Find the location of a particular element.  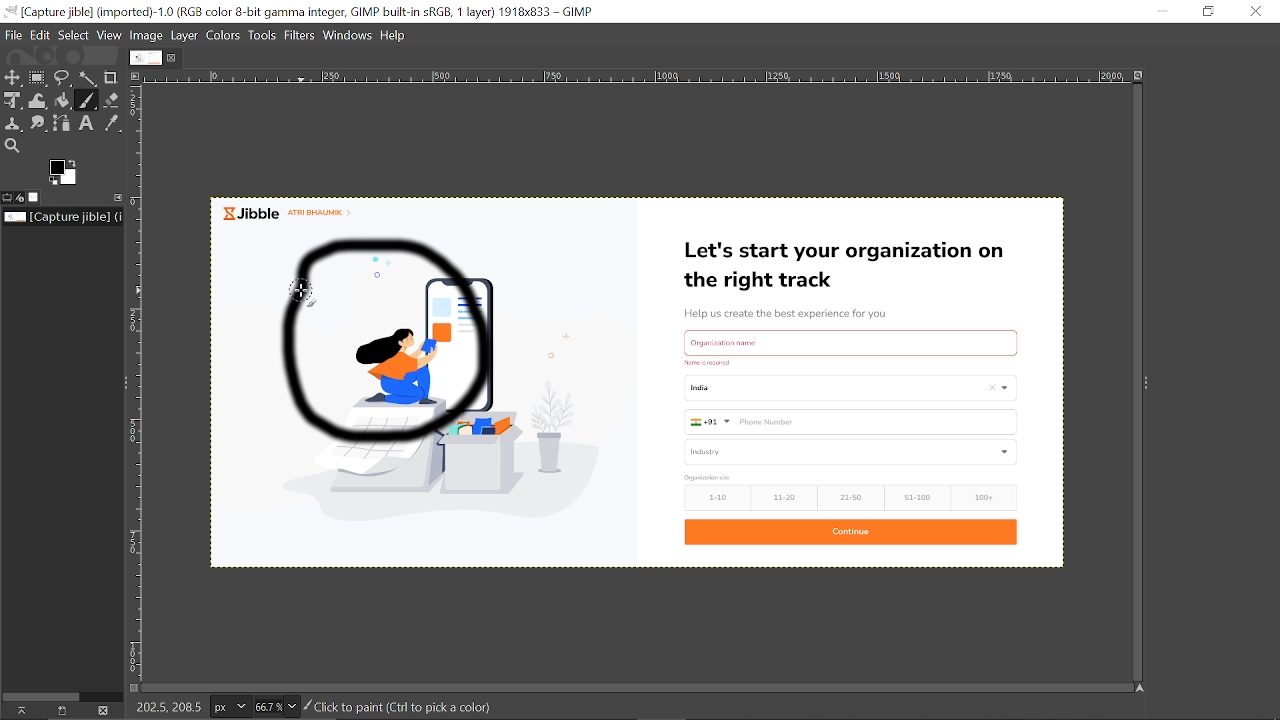

Pixel is located at coordinates (232, 708).